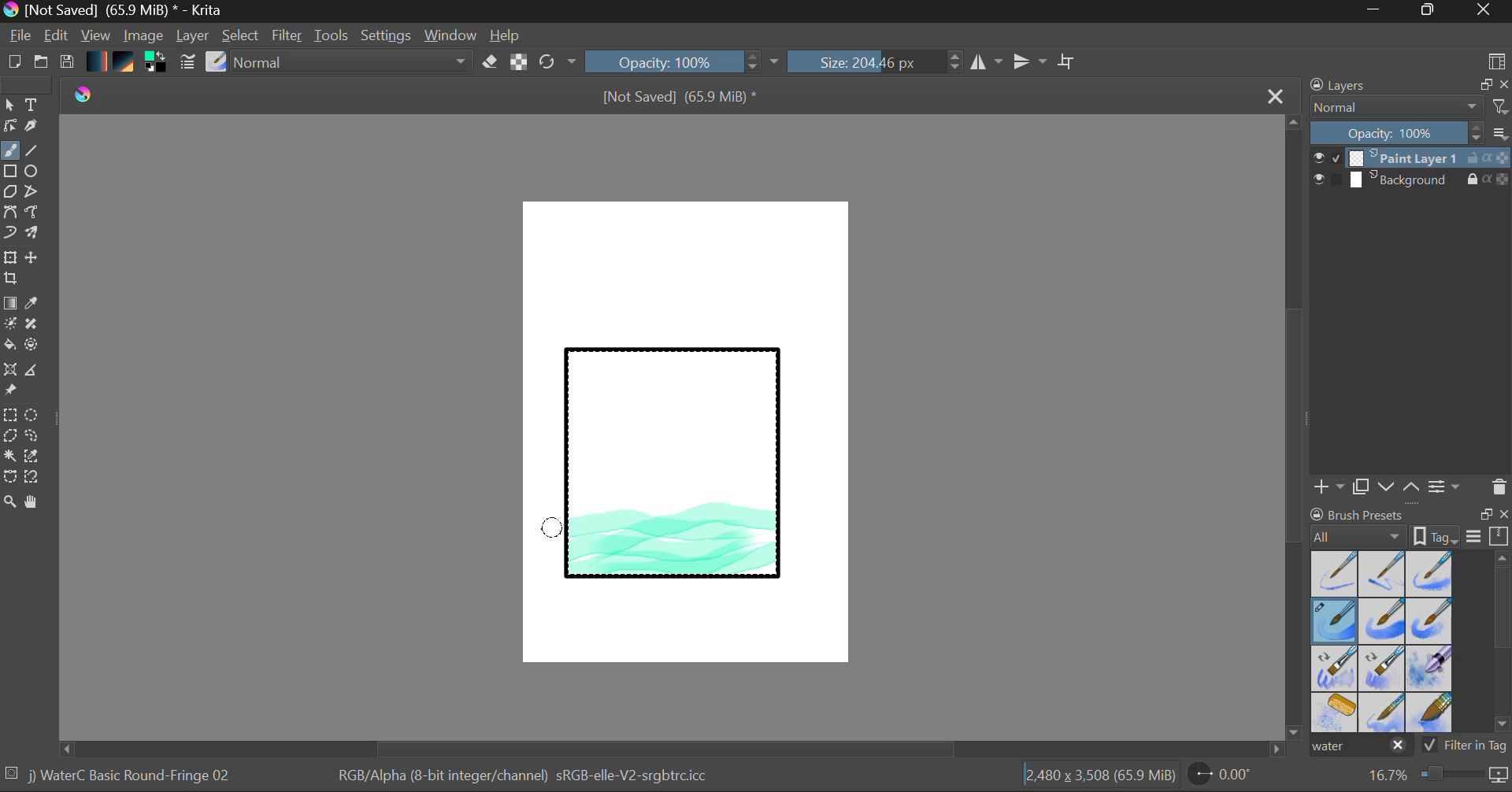  Describe the element at coordinates (157, 63) in the screenshot. I see `Colors in use` at that location.